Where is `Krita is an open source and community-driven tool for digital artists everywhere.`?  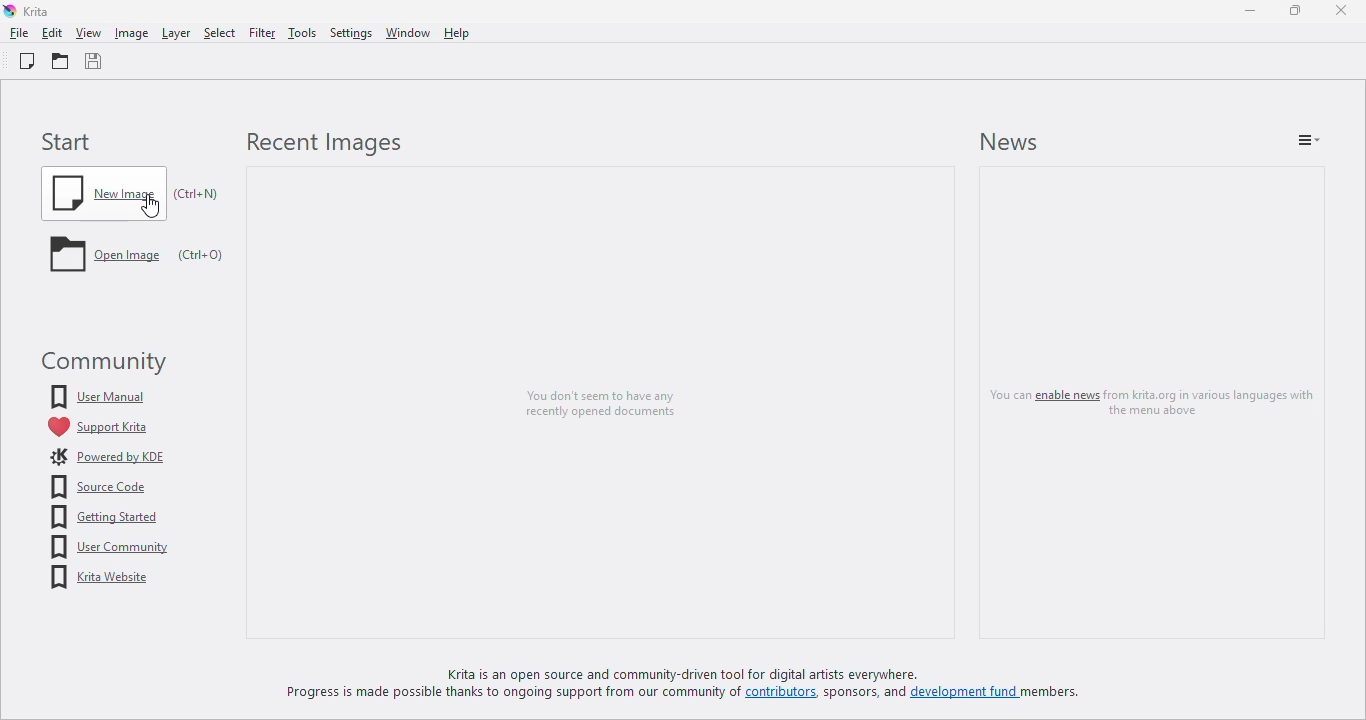
Krita is an open source and community-driven tool for digital artists everywhere. is located at coordinates (706, 674).